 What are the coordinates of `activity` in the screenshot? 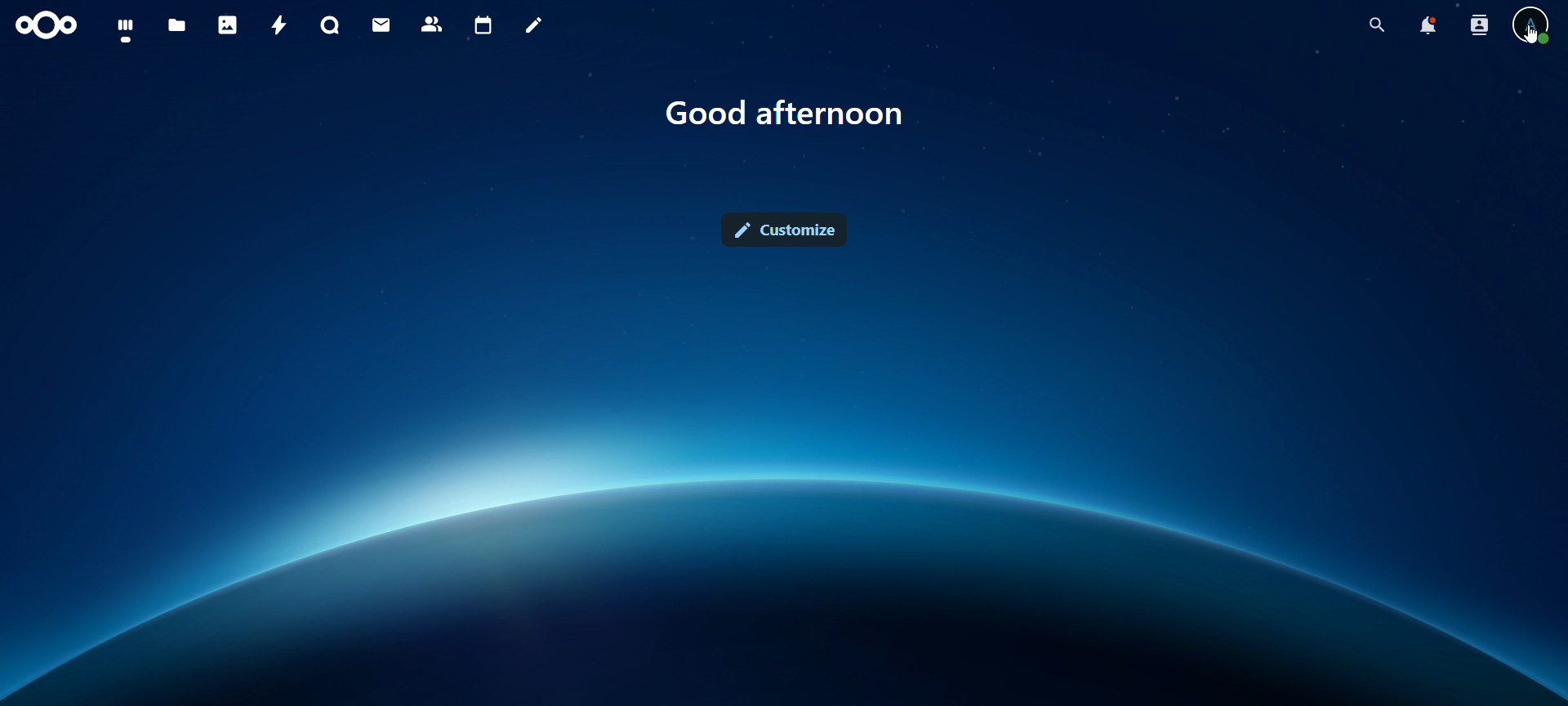 It's located at (278, 24).